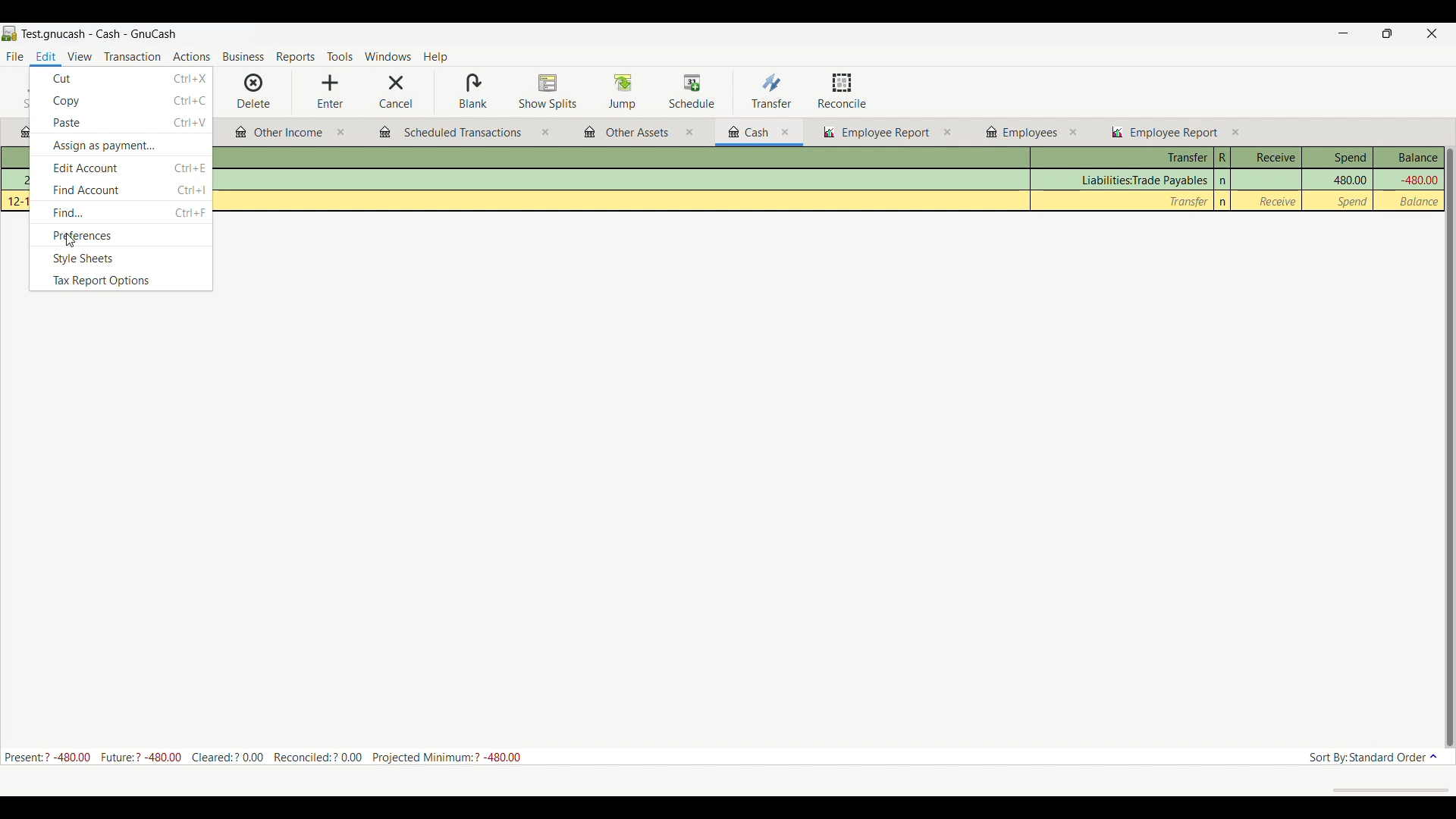 The height and width of the screenshot is (819, 1456). What do you see at coordinates (388, 56) in the screenshot?
I see `Windows menu` at bounding box center [388, 56].